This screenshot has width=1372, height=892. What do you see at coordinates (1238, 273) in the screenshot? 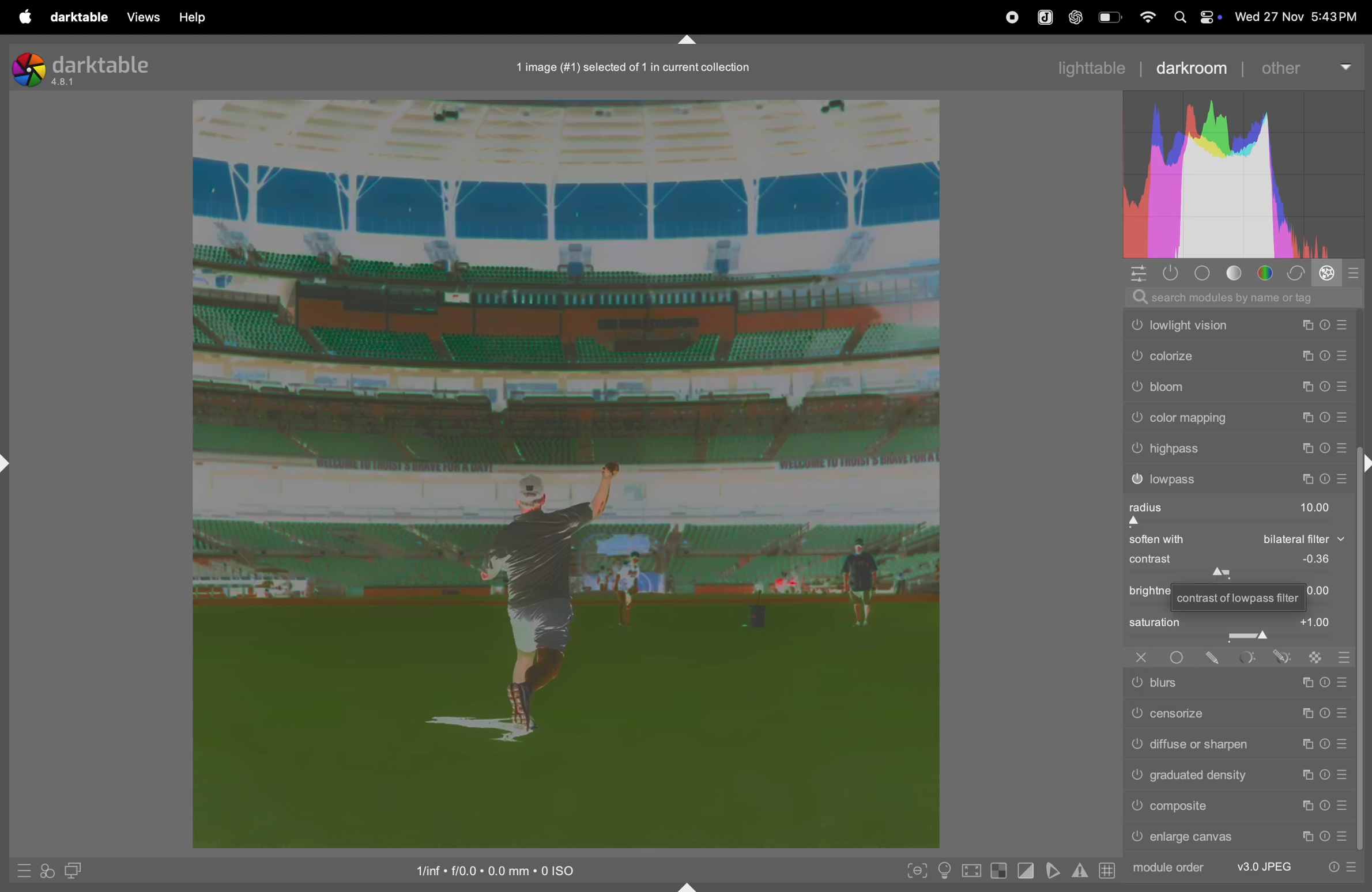
I see `tone` at bounding box center [1238, 273].